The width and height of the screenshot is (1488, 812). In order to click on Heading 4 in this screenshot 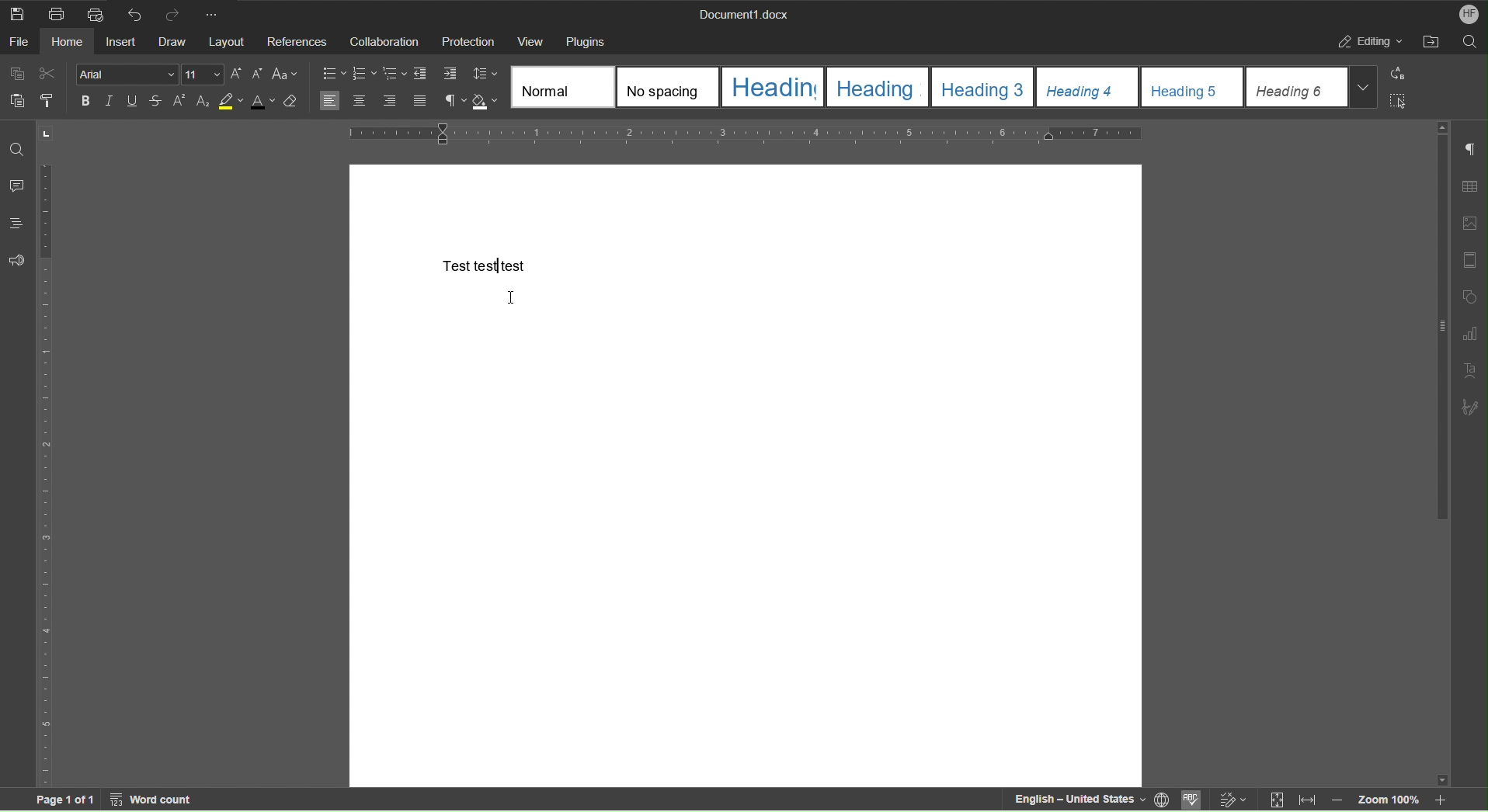, I will do `click(1089, 88)`.